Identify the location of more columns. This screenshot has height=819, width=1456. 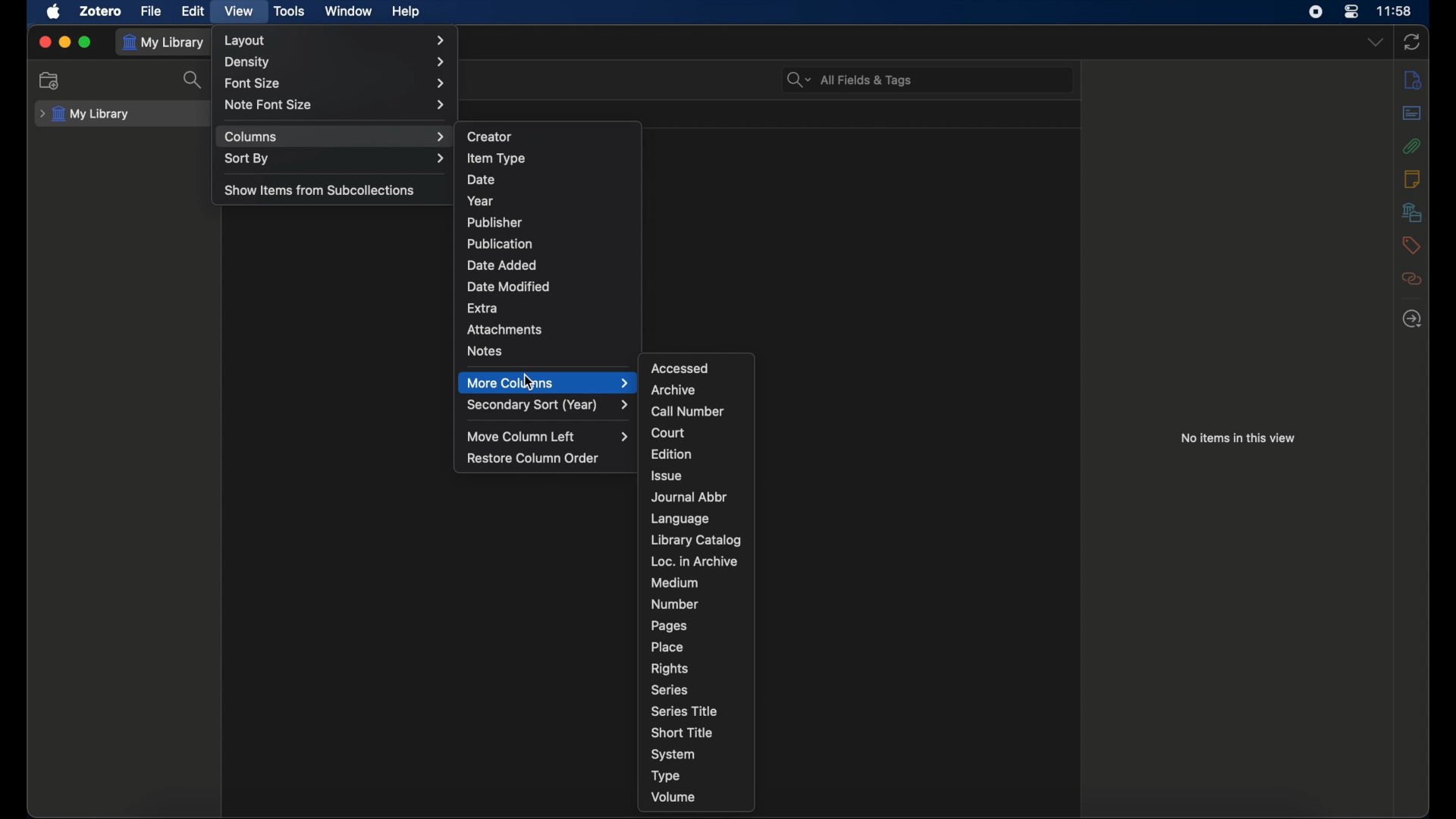
(550, 382).